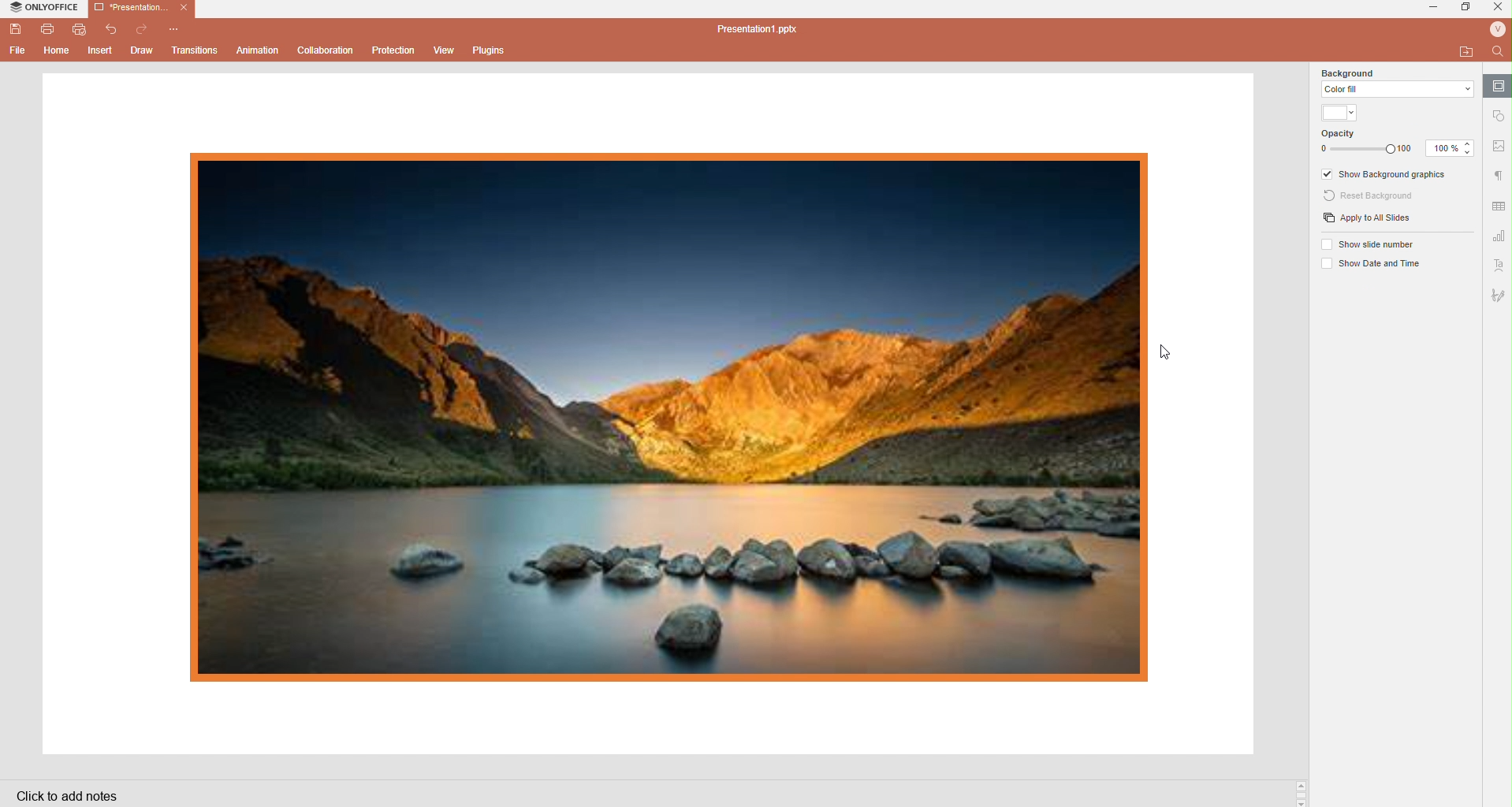 The image size is (1512, 807). I want to click on View, so click(447, 50).